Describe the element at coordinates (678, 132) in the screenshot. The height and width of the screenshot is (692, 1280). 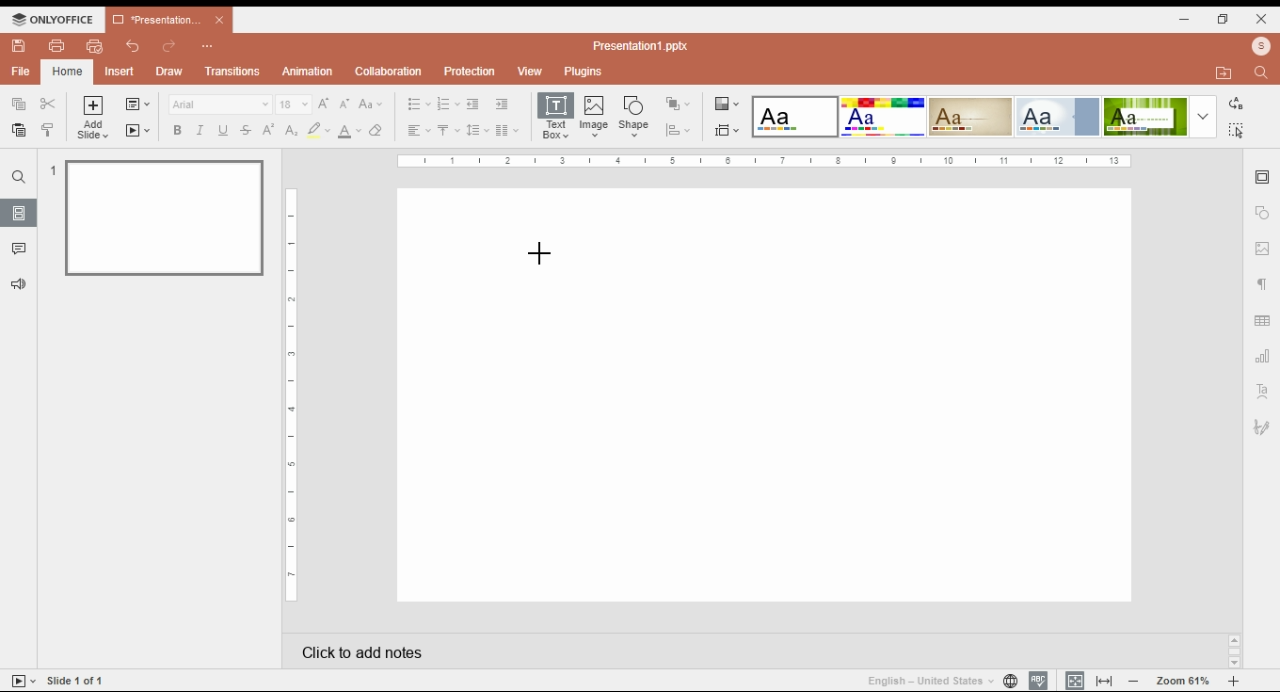
I see `align shapes` at that location.